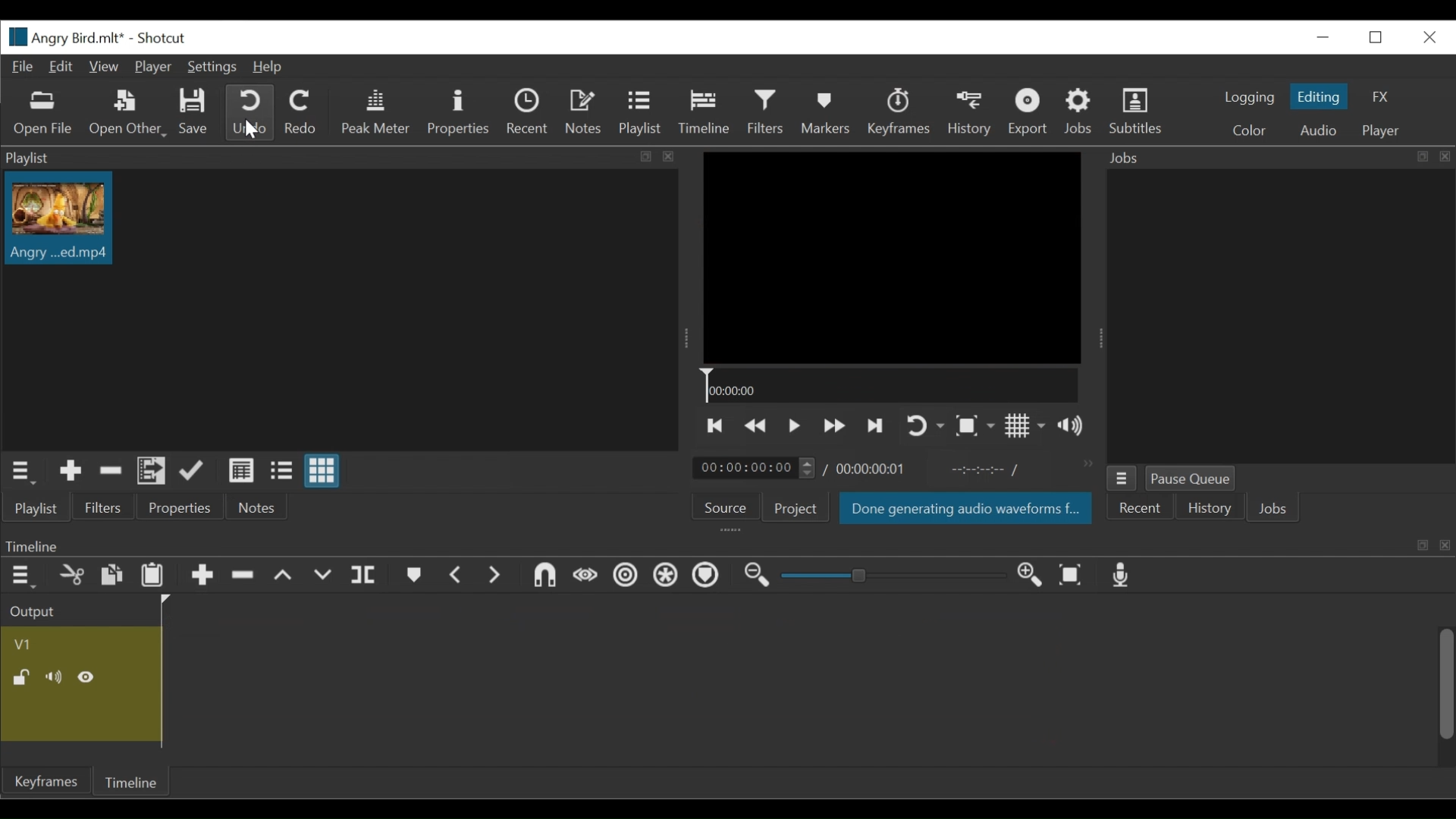 This screenshot has width=1456, height=819. What do you see at coordinates (877, 425) in the screenshot?
I see `Skip to the next point` at bounding box center [877, 425].